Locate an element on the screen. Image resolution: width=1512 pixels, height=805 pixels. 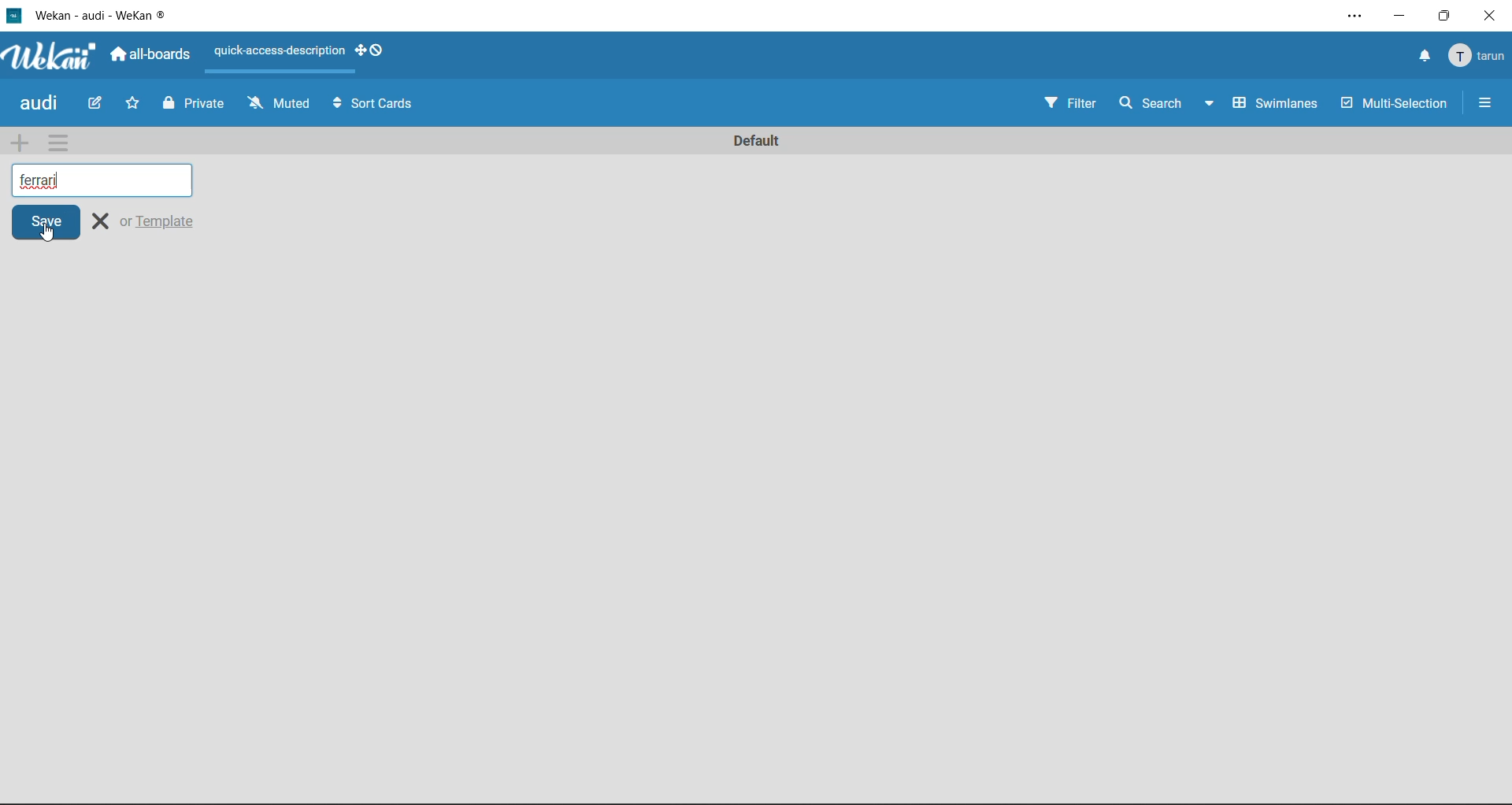
More Options is located at coordinates (1486, 99).